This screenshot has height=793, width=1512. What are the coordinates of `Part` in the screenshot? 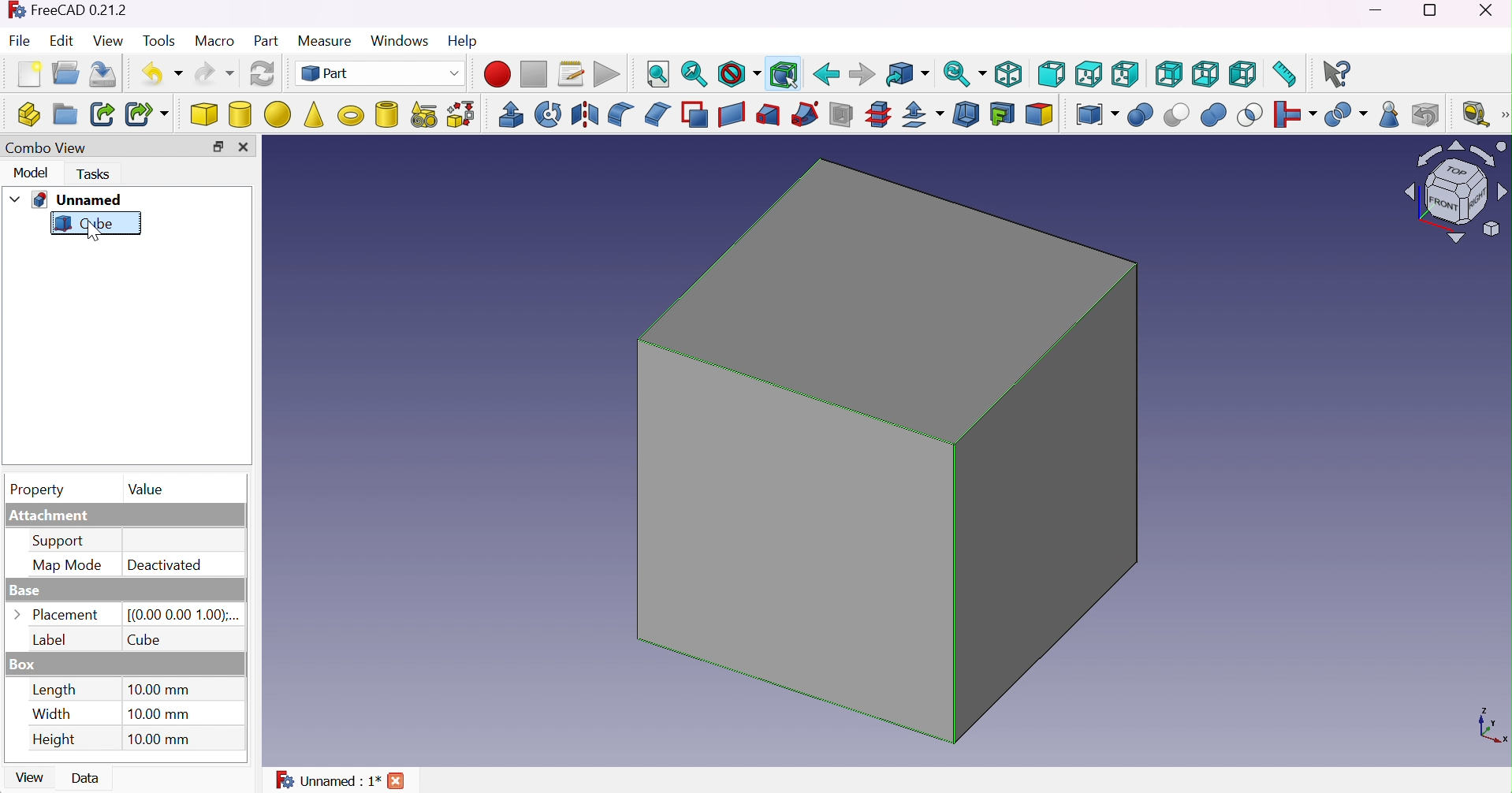 It's located at (381, 73).